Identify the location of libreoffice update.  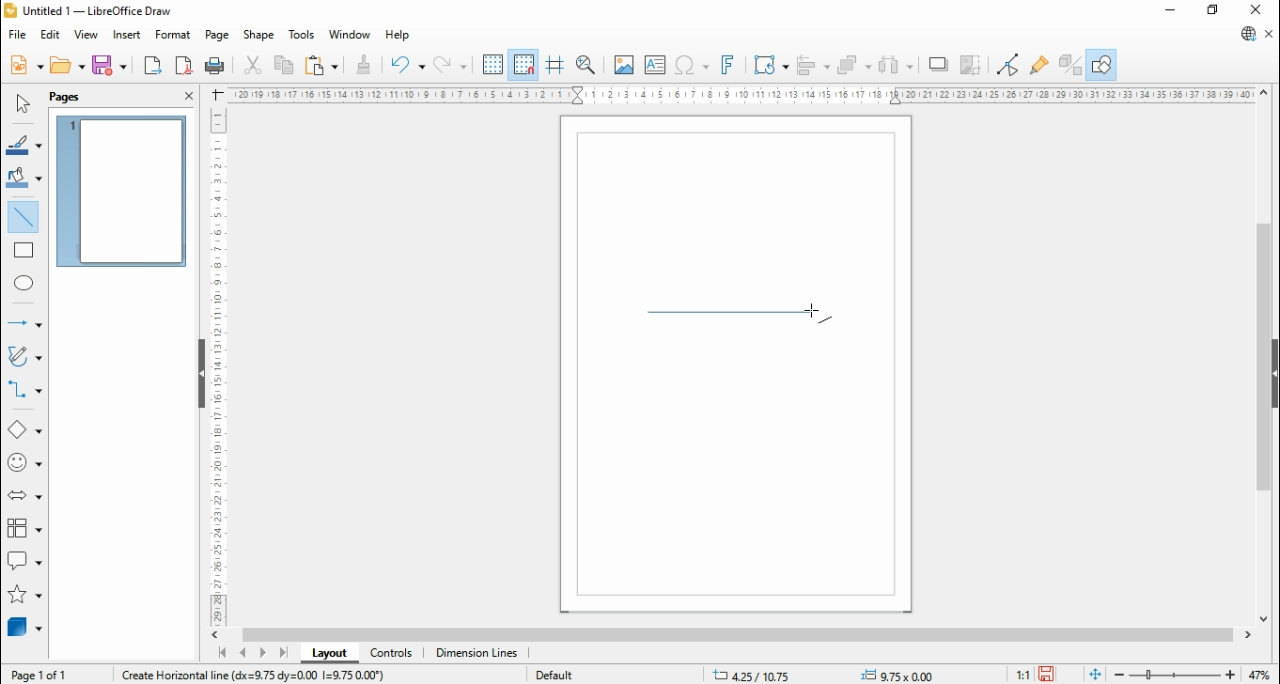
(1247, 34).